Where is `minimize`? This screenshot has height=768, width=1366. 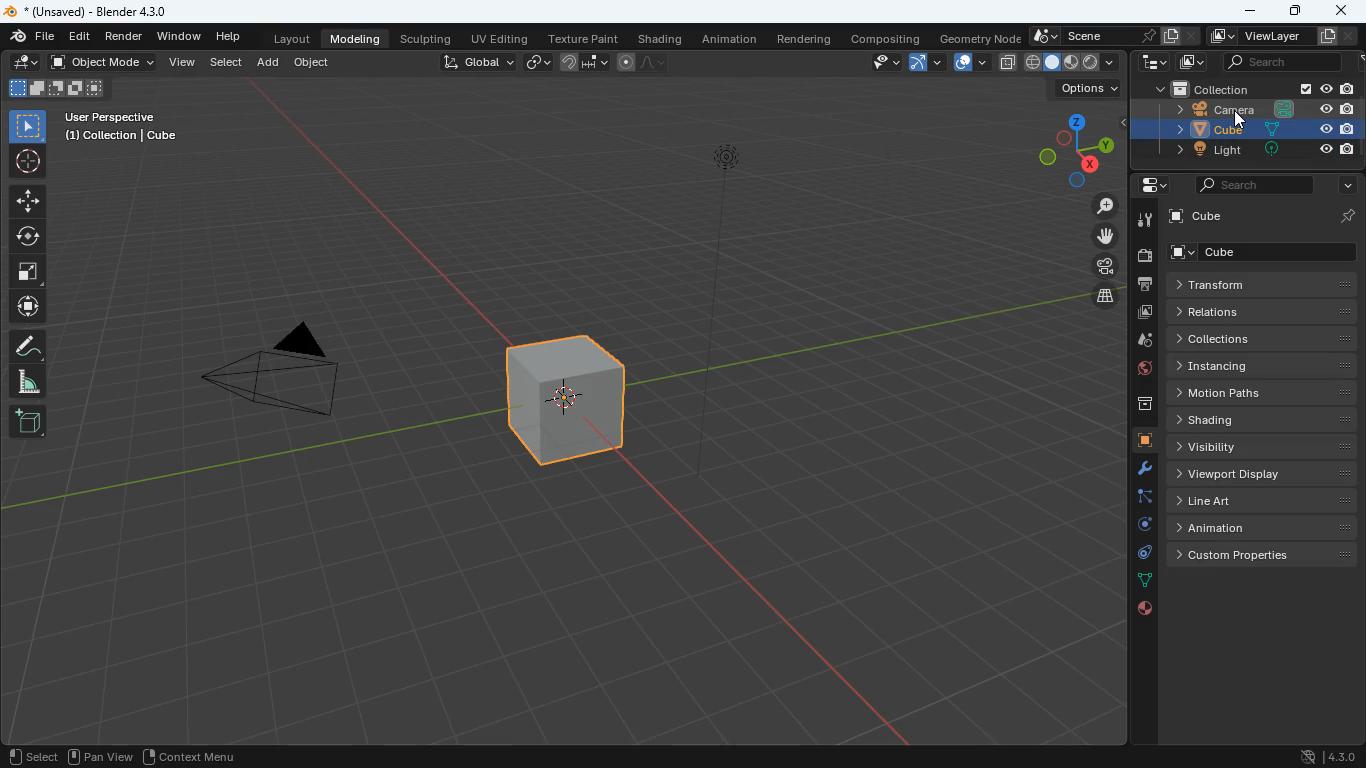 minimize is located at coordinates (1252, 12).